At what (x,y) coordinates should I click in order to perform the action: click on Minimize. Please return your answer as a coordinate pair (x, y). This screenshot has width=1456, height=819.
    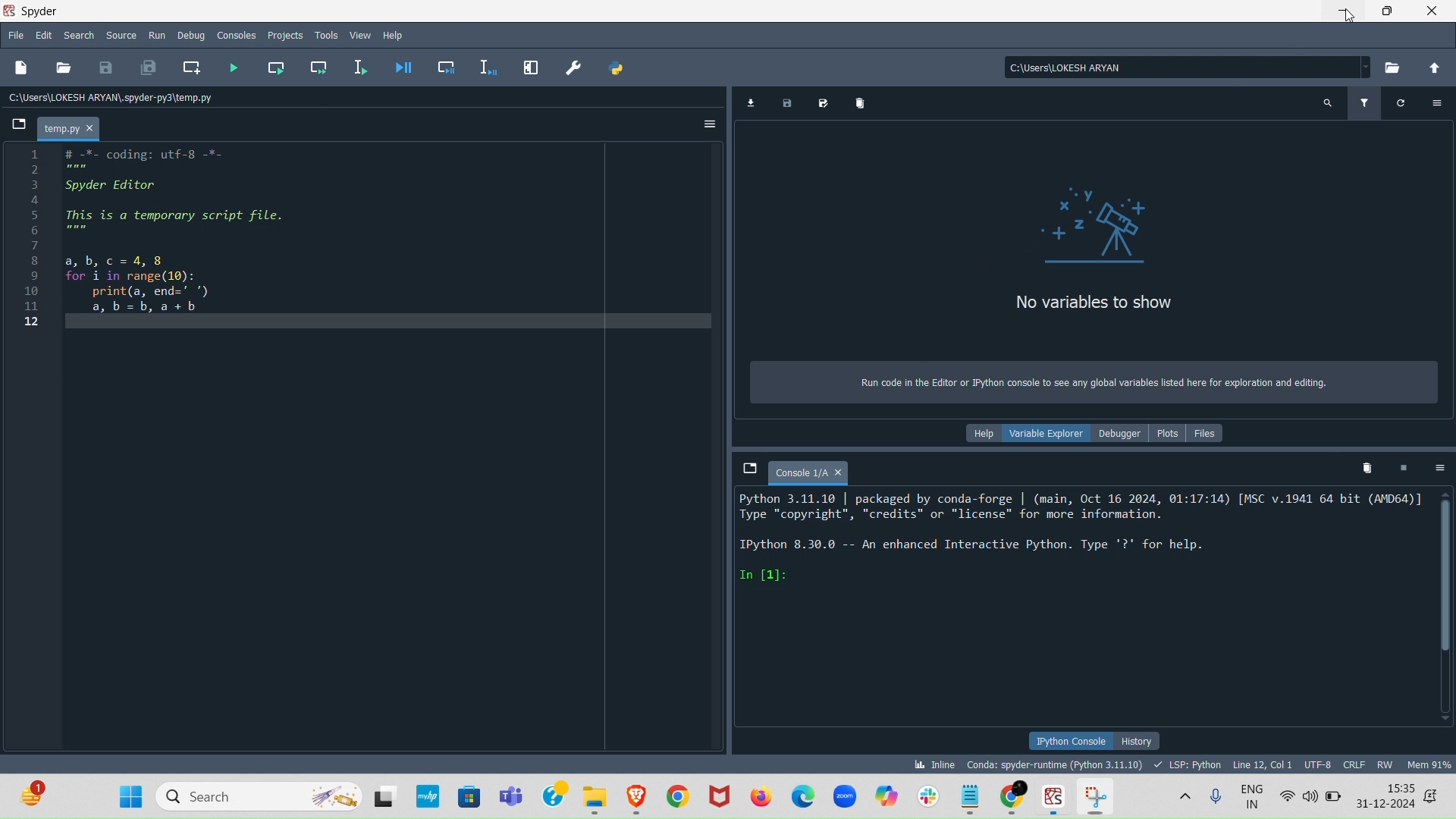
    Looking at the image, I should click on (1343, 14).